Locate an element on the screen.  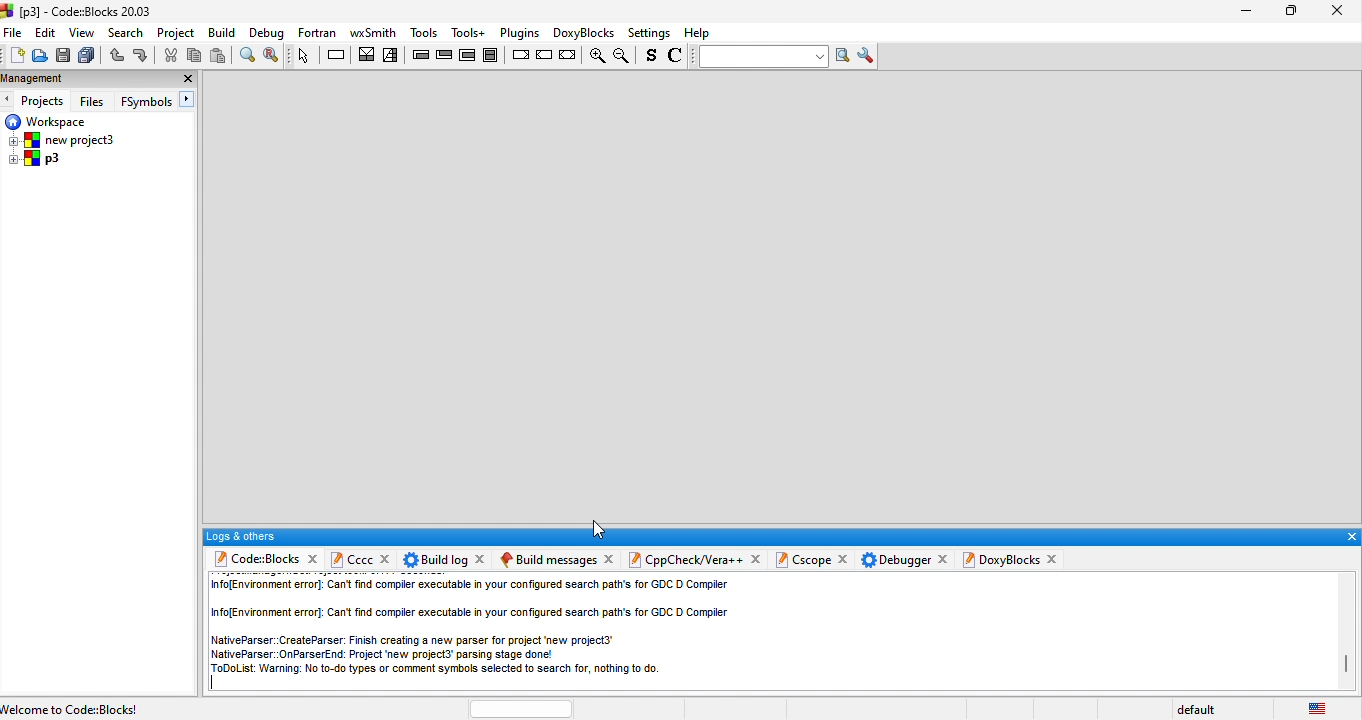
workspace is located at coordinates (48, 121).